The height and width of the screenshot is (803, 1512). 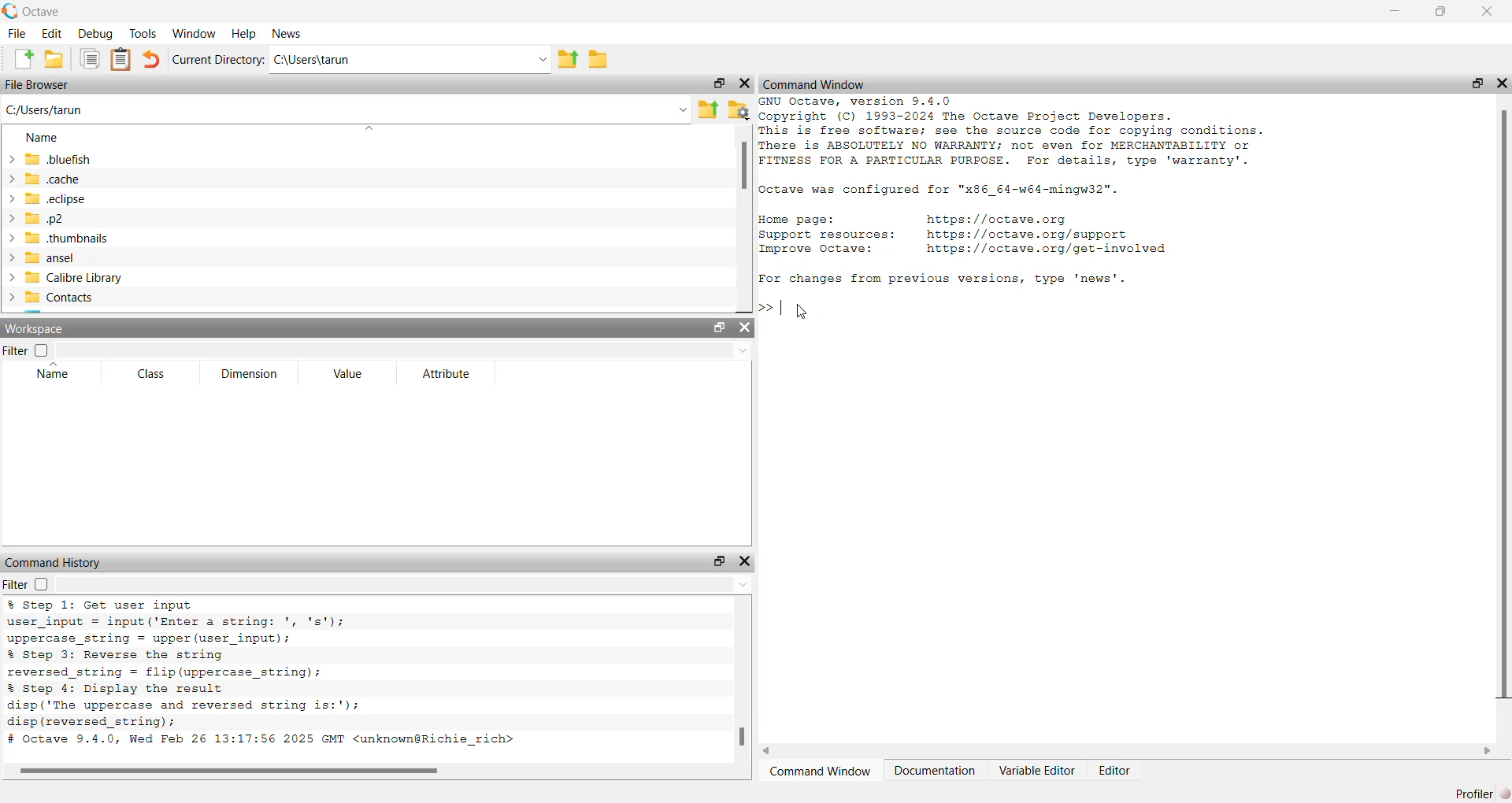 What do you see at coordinates (37, 331) in the screenshot?
I see `workspace` at bounding box center [37, 331].